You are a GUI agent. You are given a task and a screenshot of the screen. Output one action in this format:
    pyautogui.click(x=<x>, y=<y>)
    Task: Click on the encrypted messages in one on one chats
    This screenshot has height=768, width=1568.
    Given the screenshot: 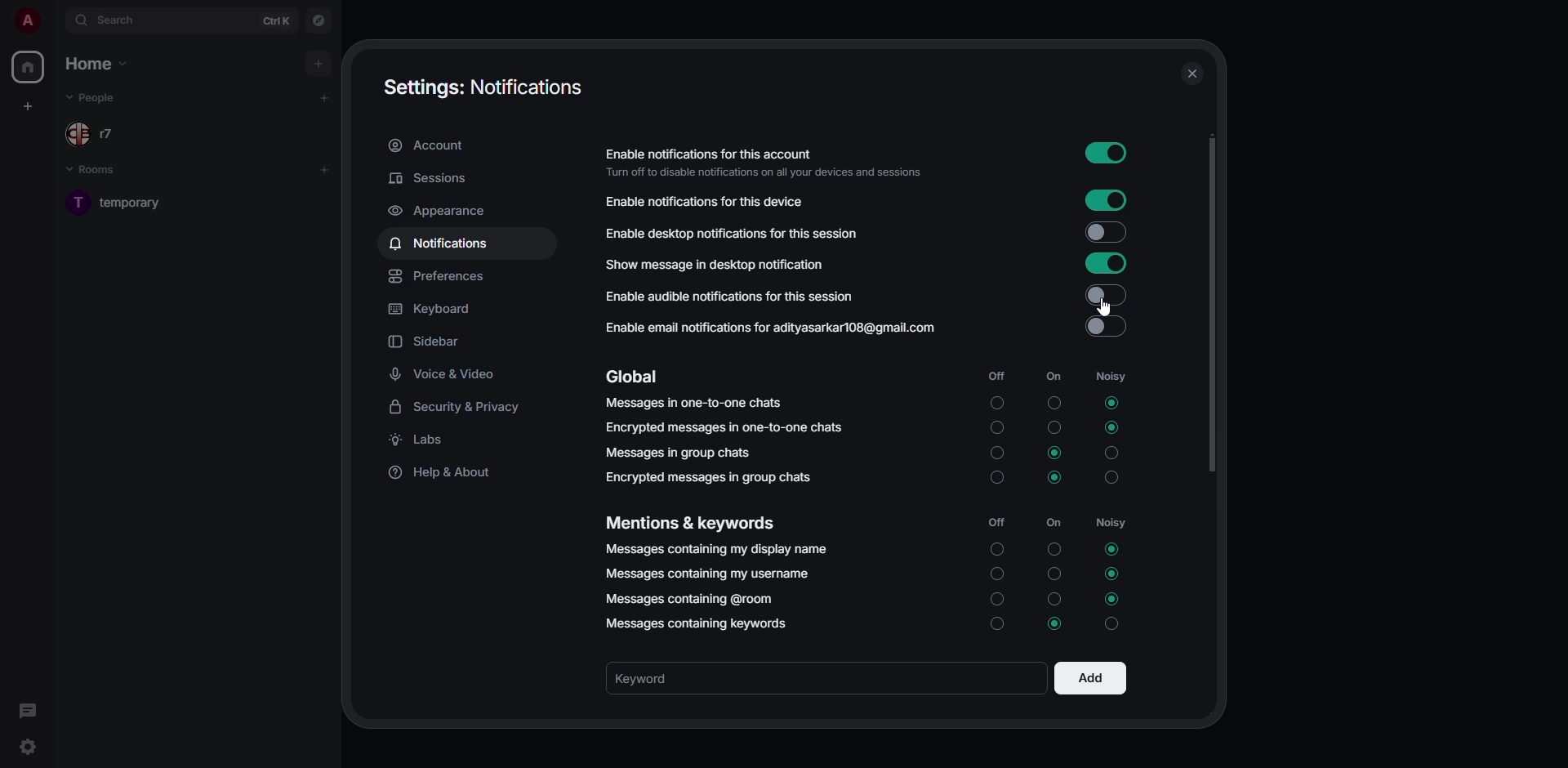 What is the action you would take?
    pyautogui.click(x=724, y=428)
    